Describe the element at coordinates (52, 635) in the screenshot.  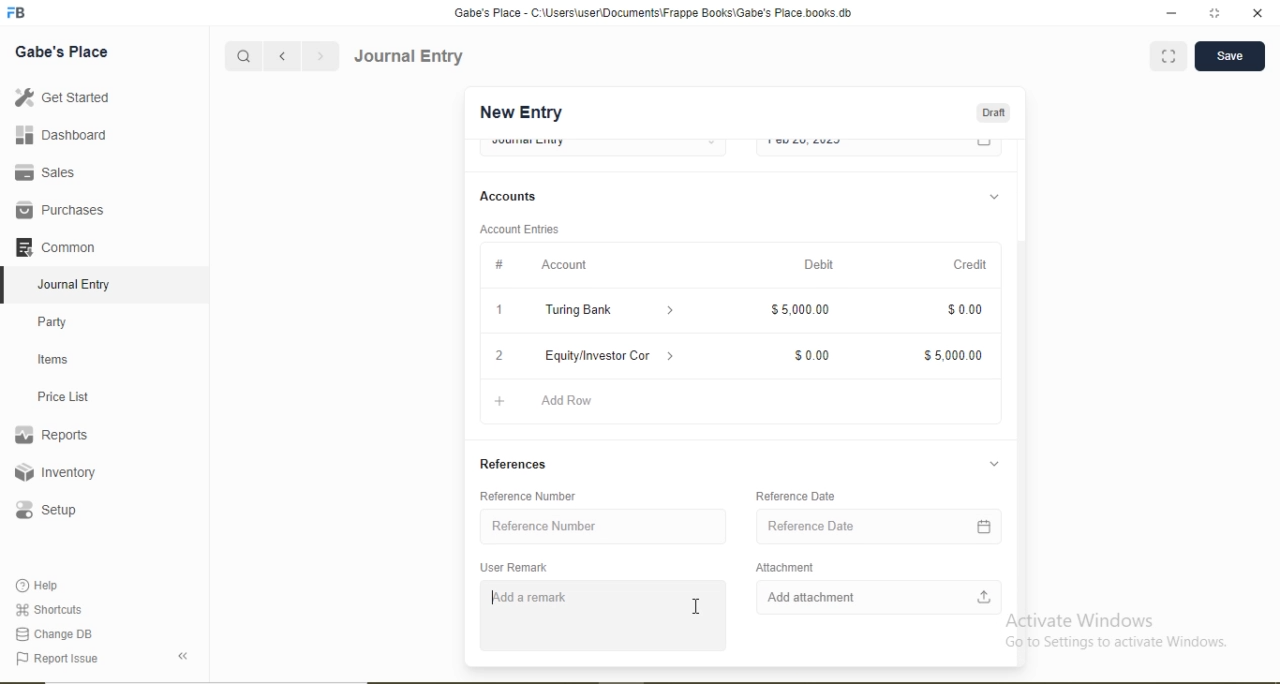
I see `Change DB` at that location.